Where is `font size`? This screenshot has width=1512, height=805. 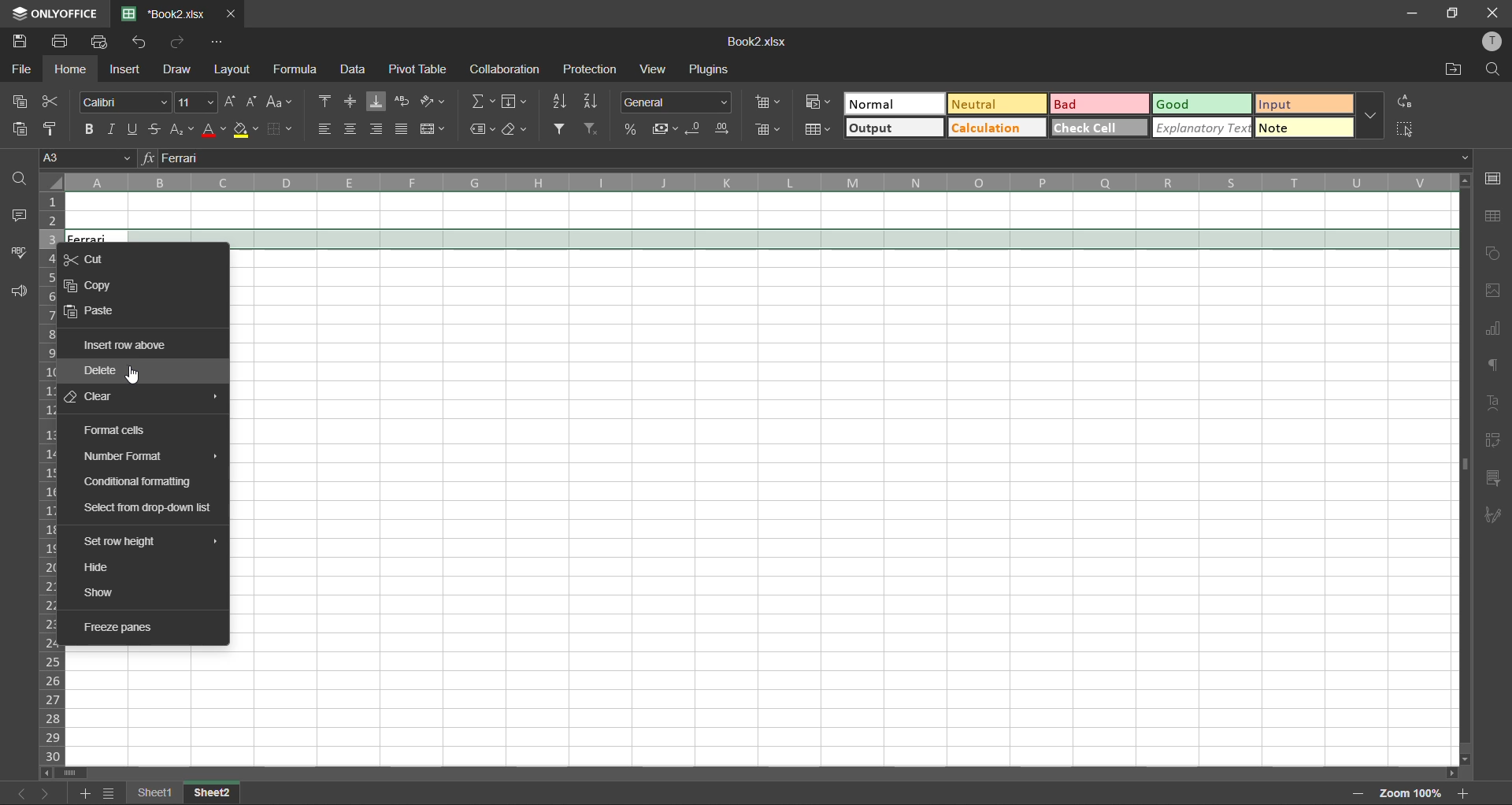
font size is located at coordinates (196, 101).